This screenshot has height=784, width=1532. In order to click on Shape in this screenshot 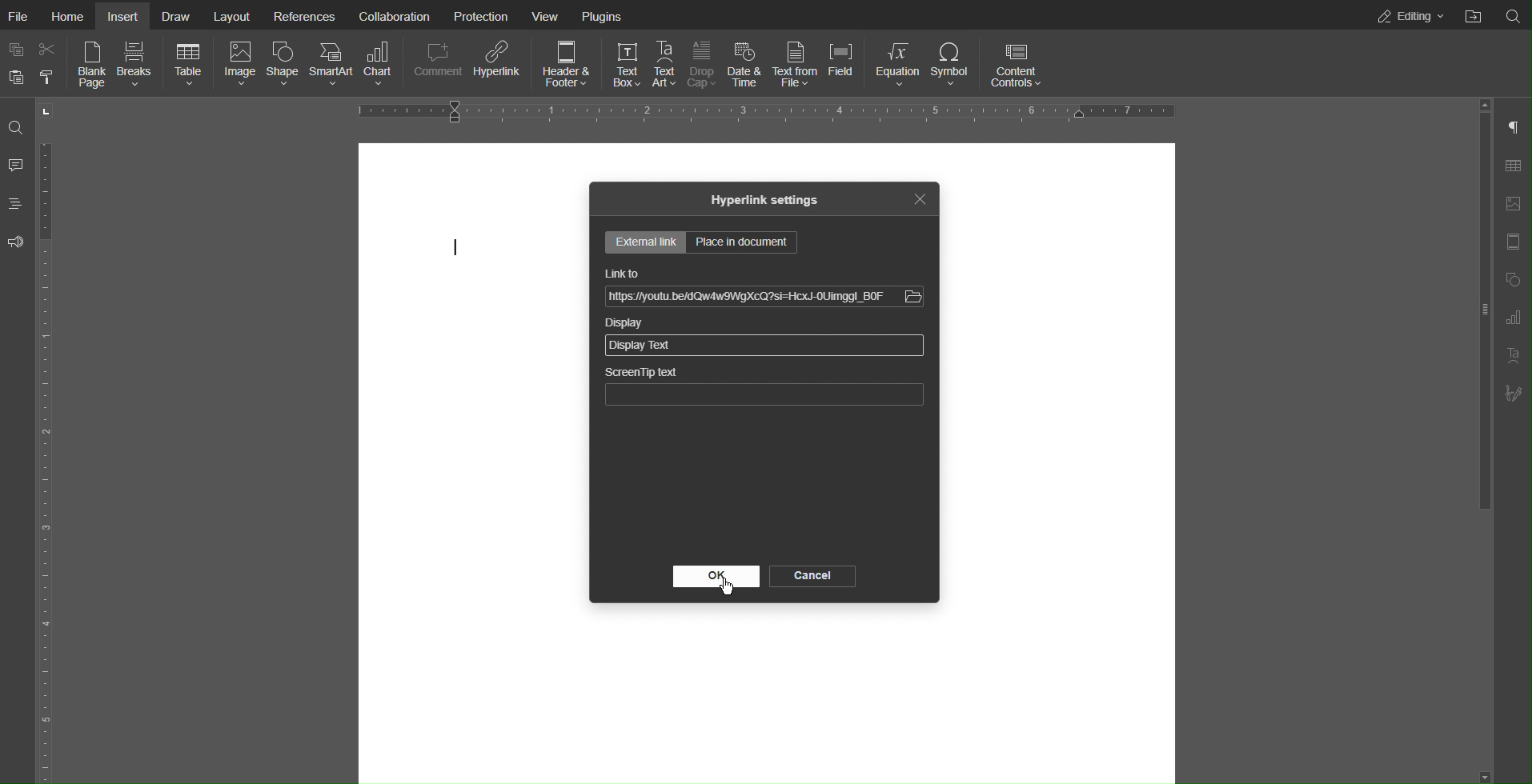, I will do `click(284, 66)`.